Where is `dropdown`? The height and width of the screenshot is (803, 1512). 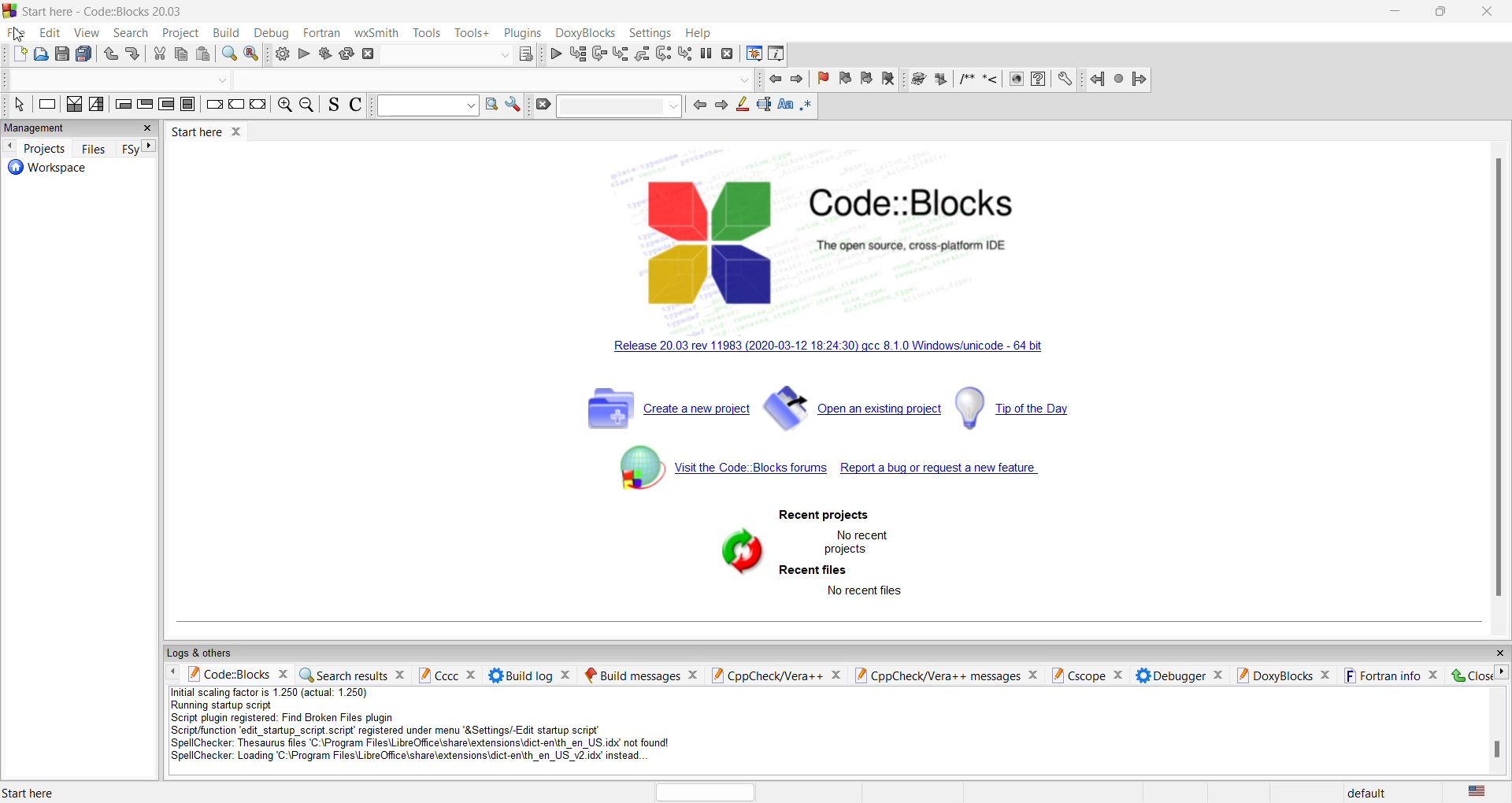 dropdown is located at coordinates (428, 105).